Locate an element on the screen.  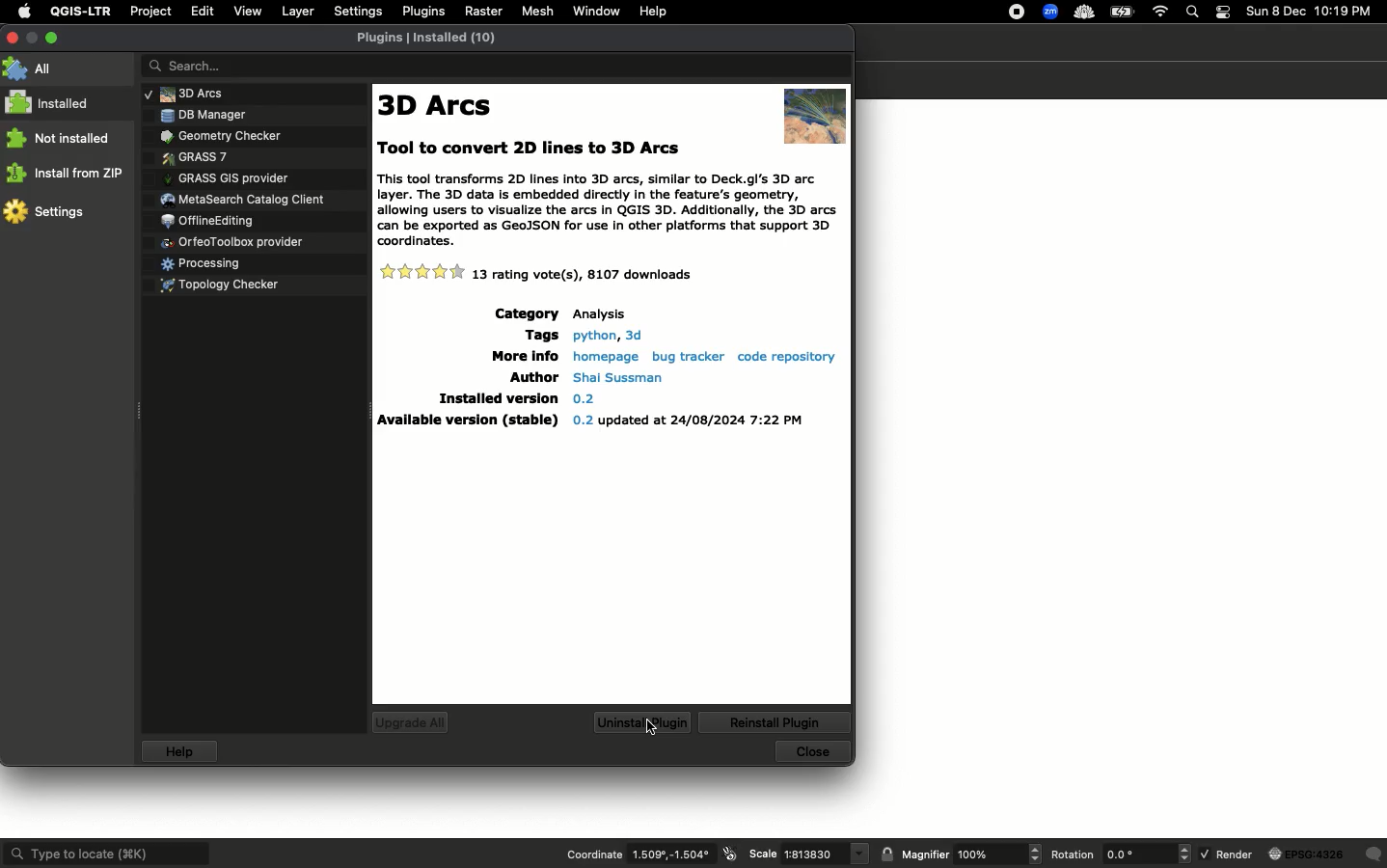
Coordinate is located at coordinates (650, 854).